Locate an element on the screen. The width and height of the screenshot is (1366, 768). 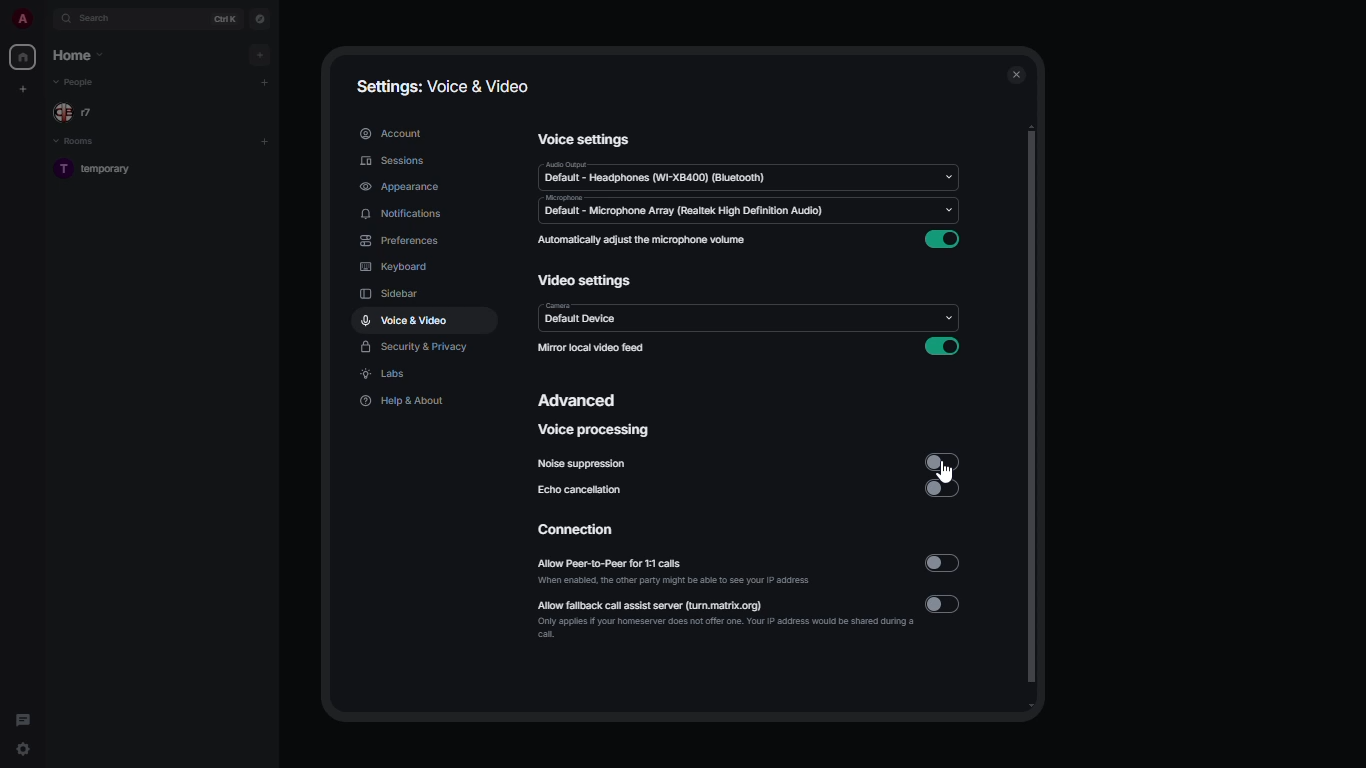
quick settings is located at coordinates (25, 749).